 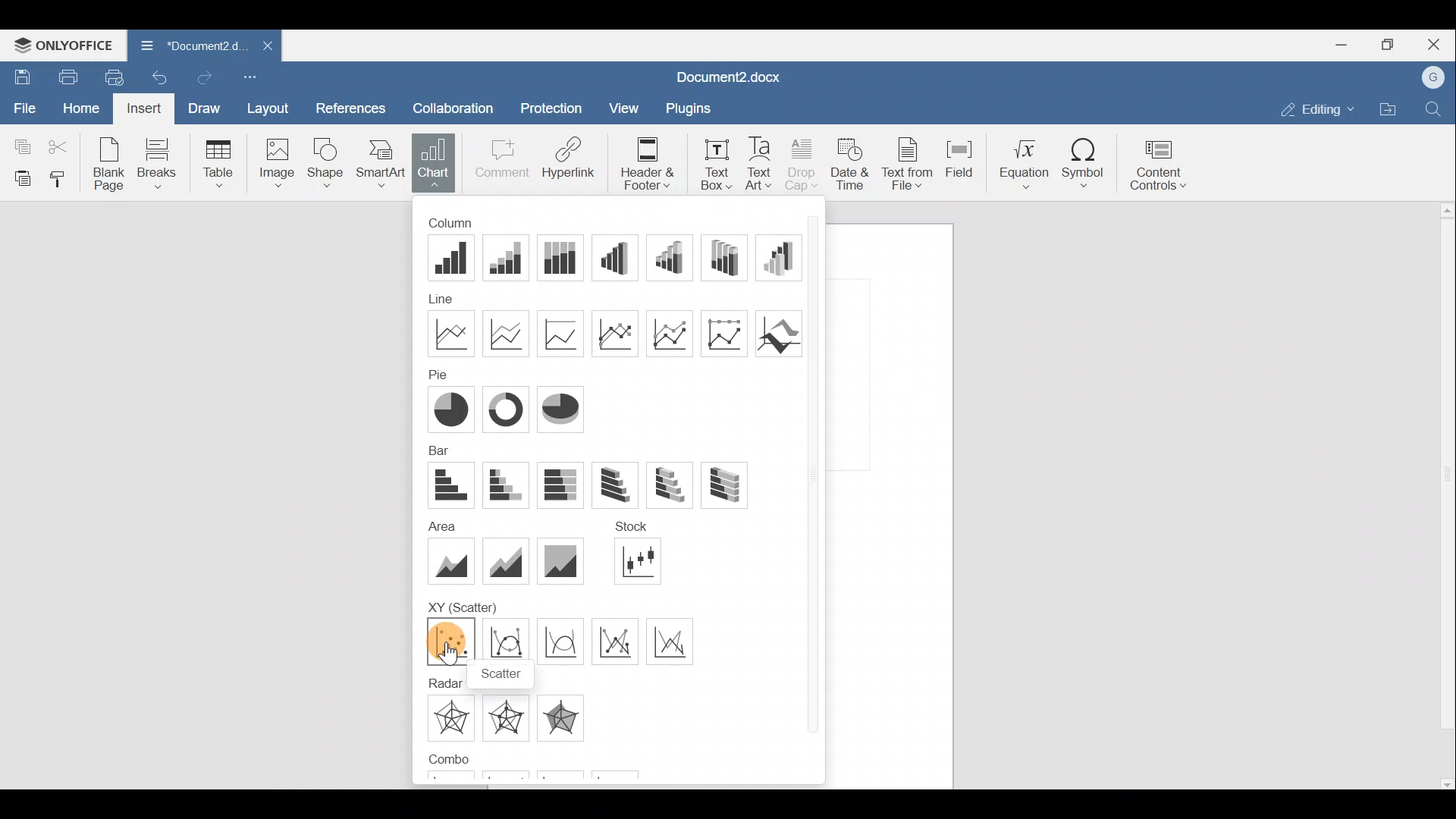 What do you see at coordinates (623, 485) in the screenshot?
I see `3-D clustered bar` at bounding box center [623, 485].